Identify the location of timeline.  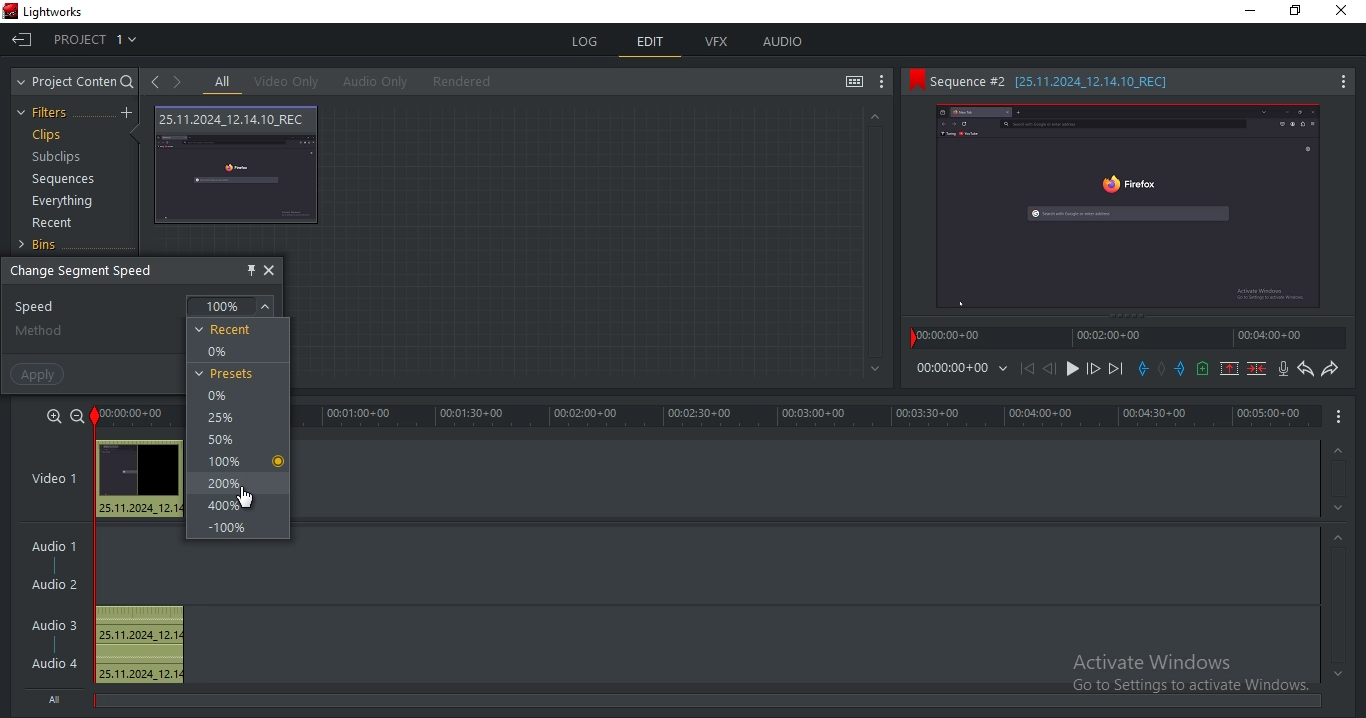
(1130, 341).